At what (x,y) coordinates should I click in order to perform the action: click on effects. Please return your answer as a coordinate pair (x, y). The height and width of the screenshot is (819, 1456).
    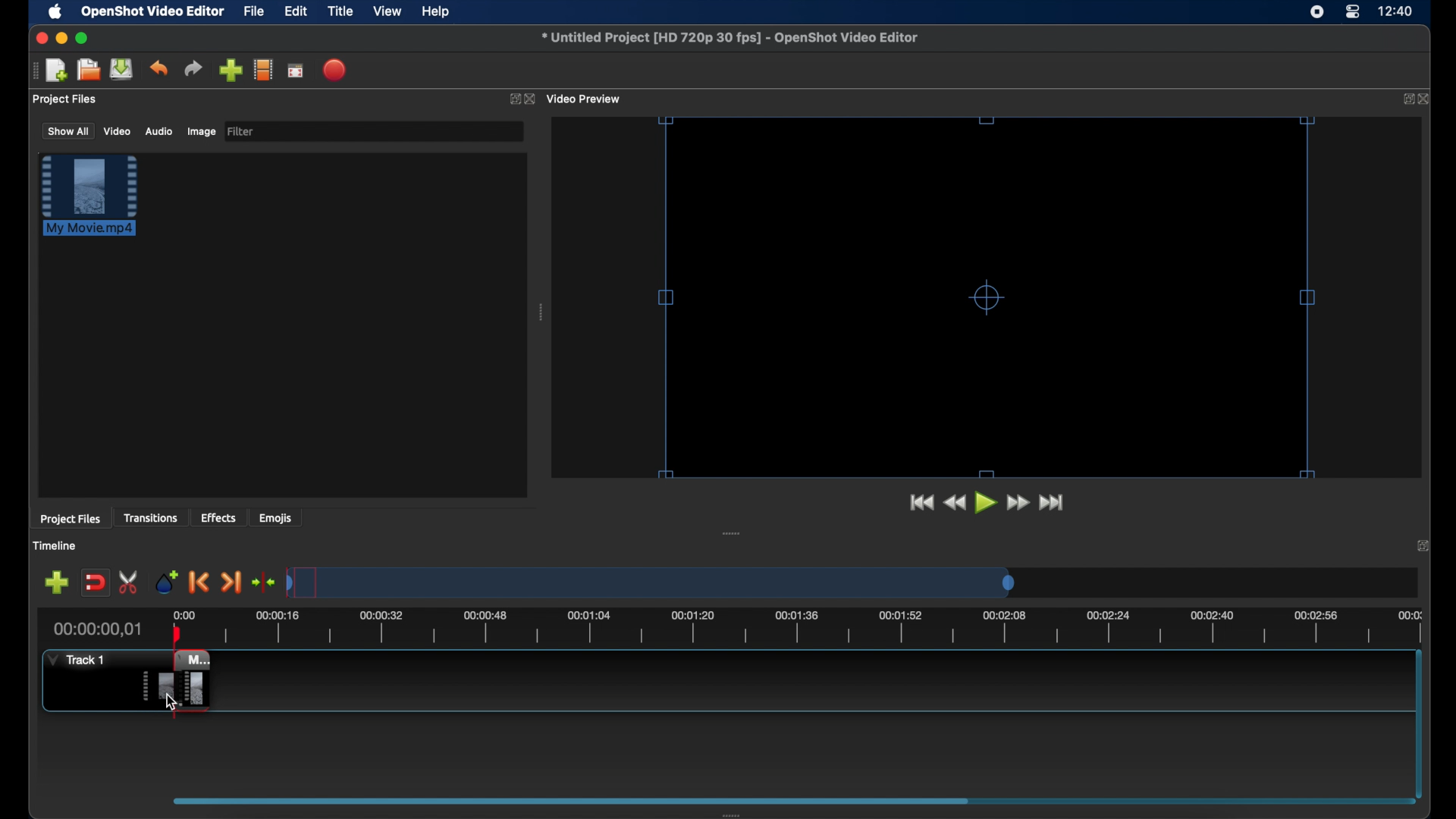
    Looking at the image, I should click on (218, 517).